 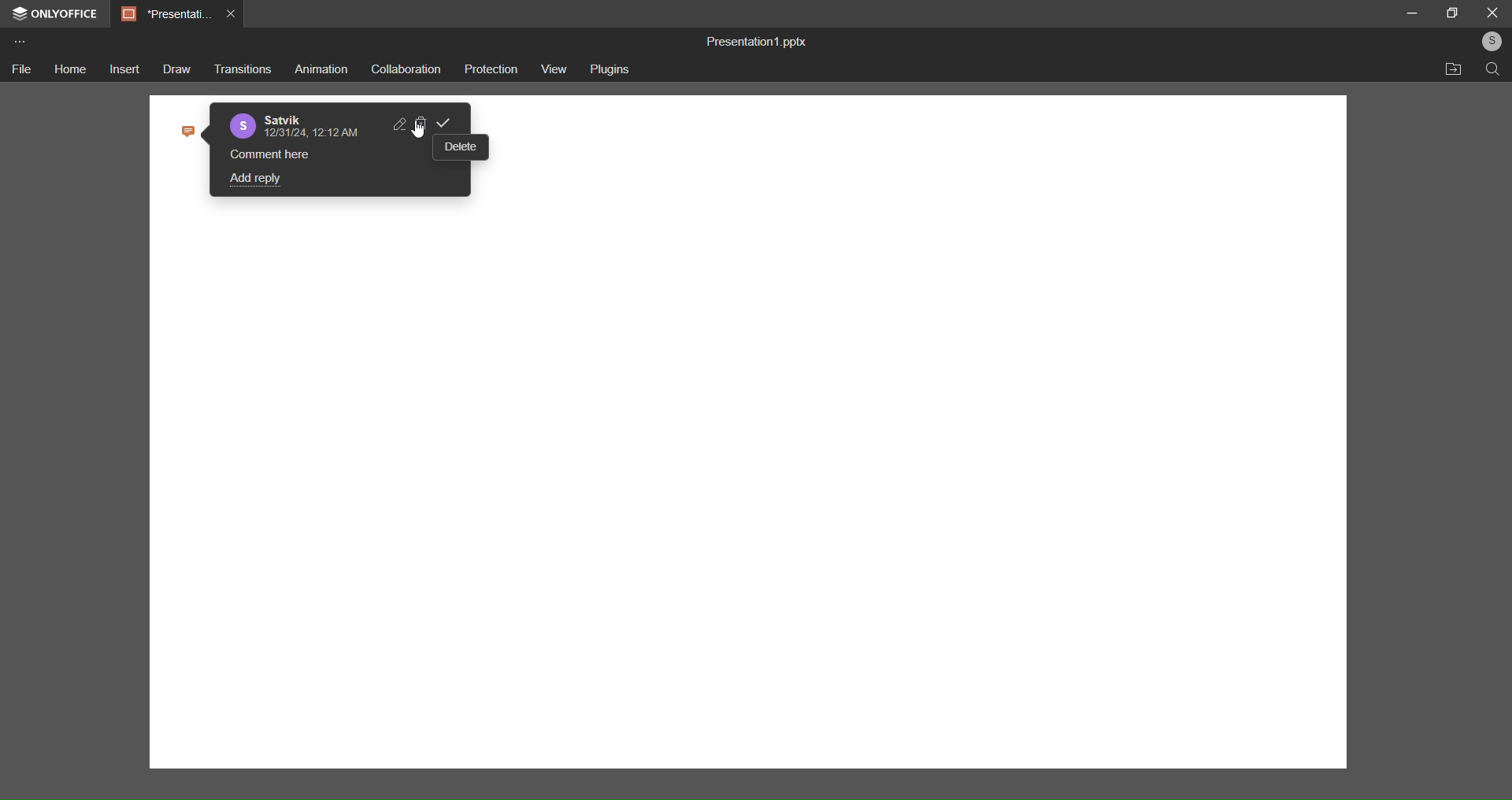 What do you see at coordinates (123, 69) in the screenshot?
I see `insert` at bounding box center [123, 69].